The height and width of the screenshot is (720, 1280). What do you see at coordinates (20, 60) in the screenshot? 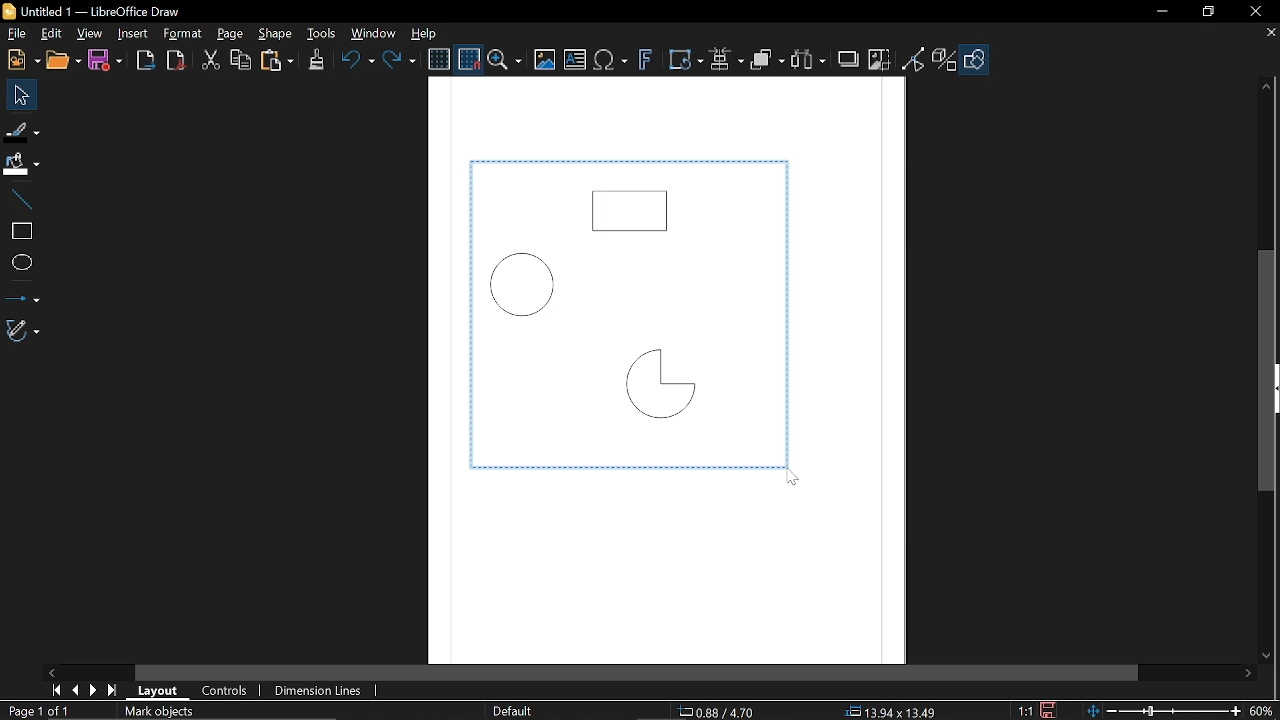
I see `New` at bounding box center [20, 60].